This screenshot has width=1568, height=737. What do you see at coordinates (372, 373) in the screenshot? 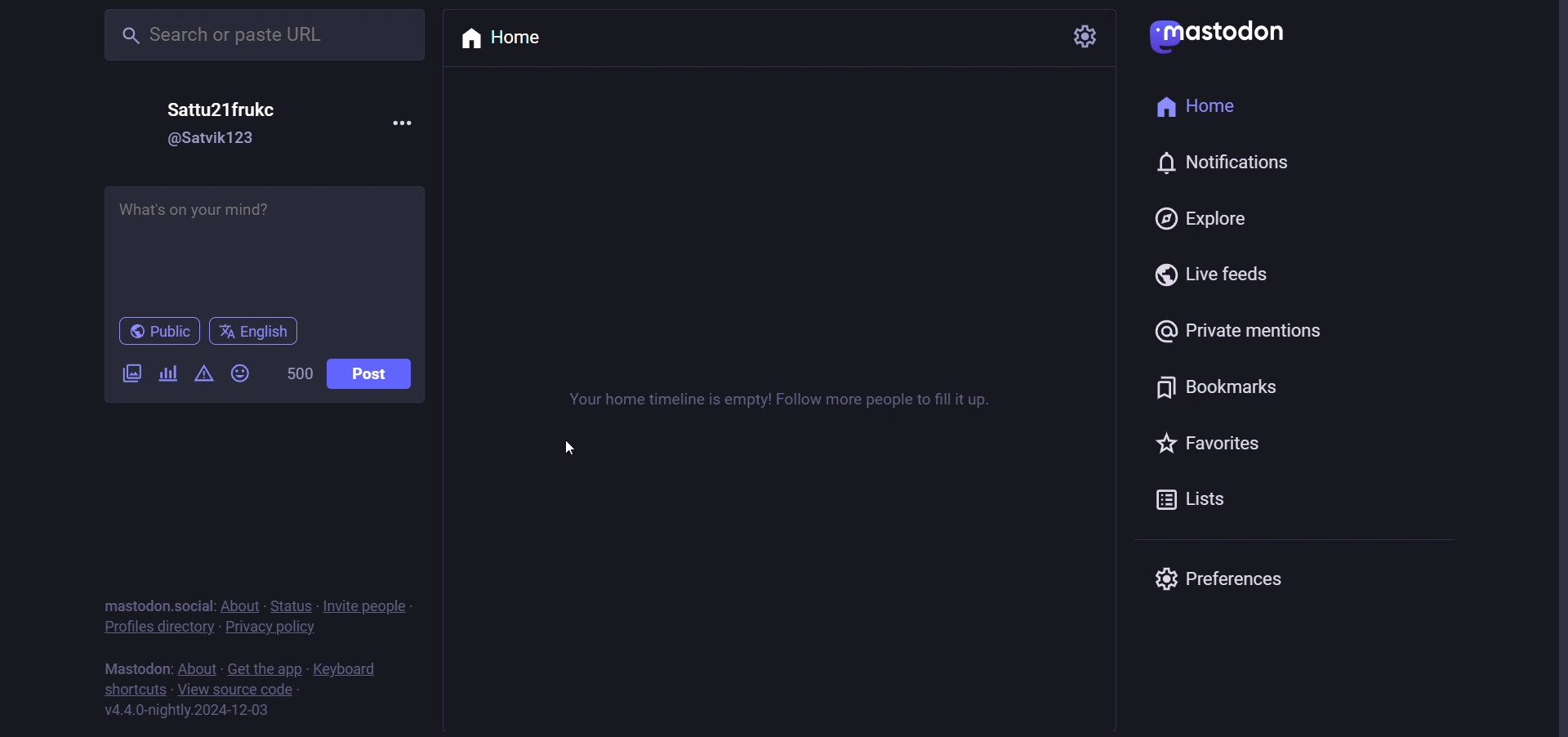
I see `post` at bounding box center [372, 373].